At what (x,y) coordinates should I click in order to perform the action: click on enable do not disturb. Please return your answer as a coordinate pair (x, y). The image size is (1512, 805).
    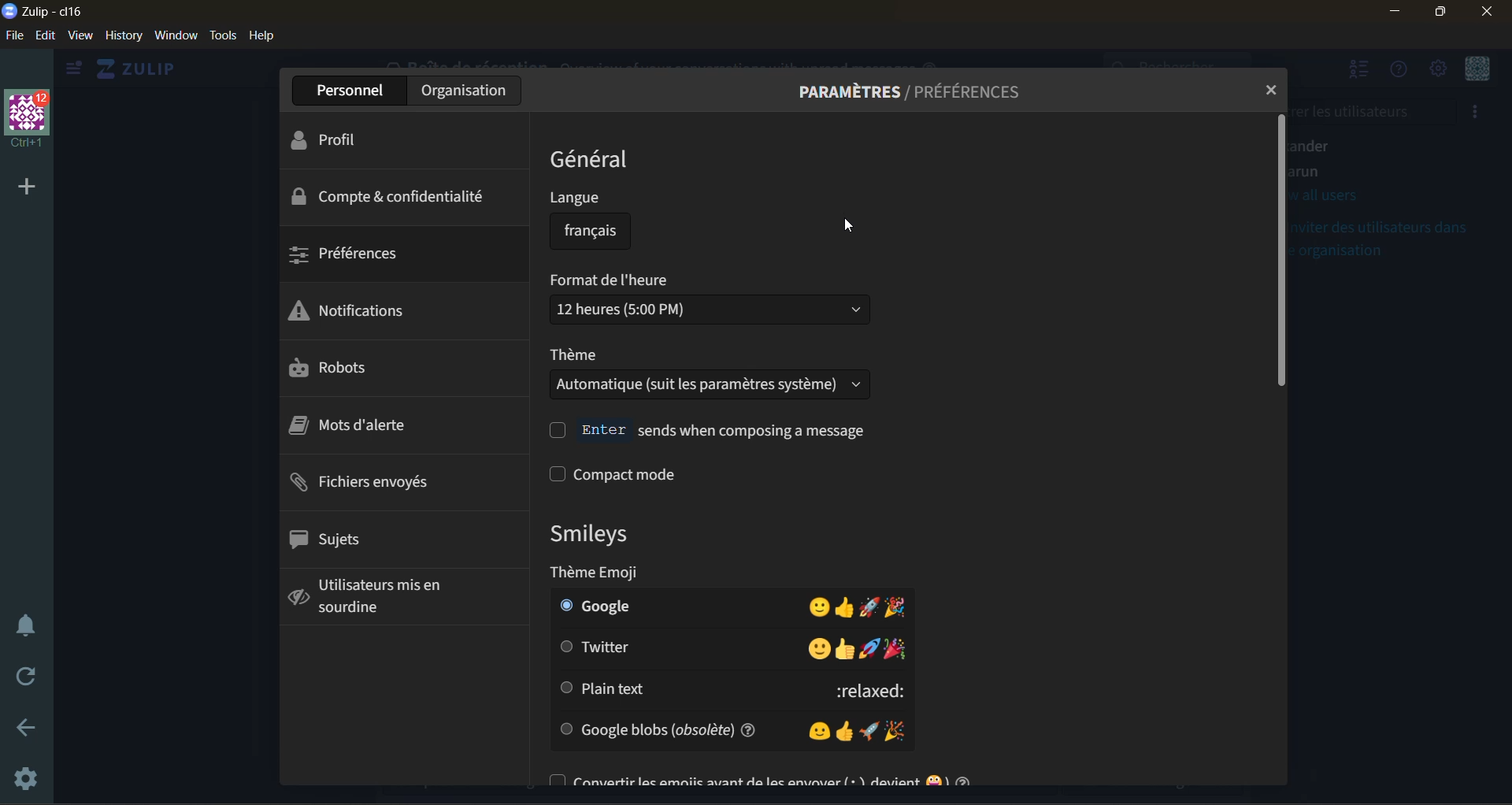
    Looking at the image, I should click on (25, 624).